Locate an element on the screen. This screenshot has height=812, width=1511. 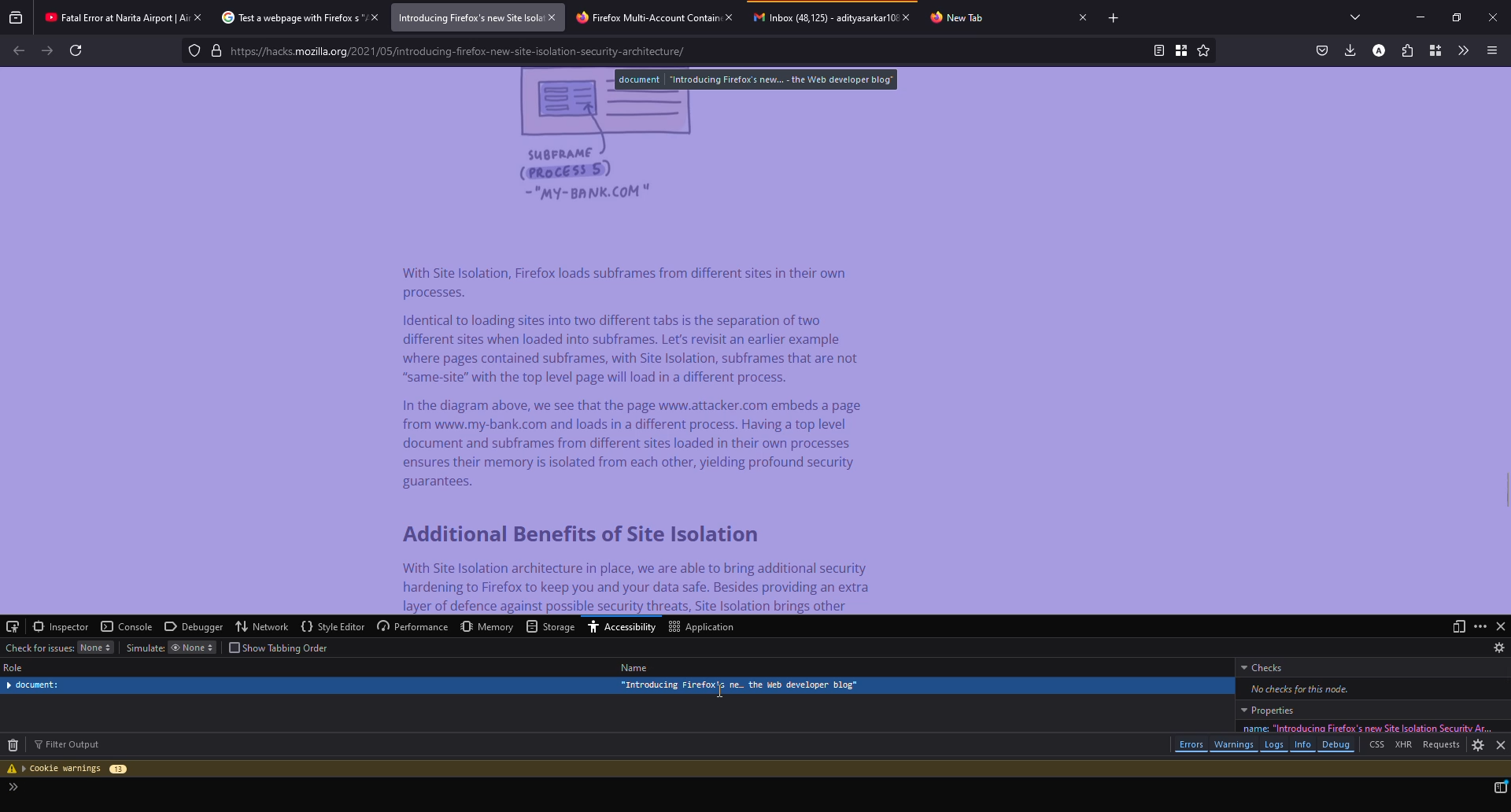
accessibility is located at coordinates (623, 626).